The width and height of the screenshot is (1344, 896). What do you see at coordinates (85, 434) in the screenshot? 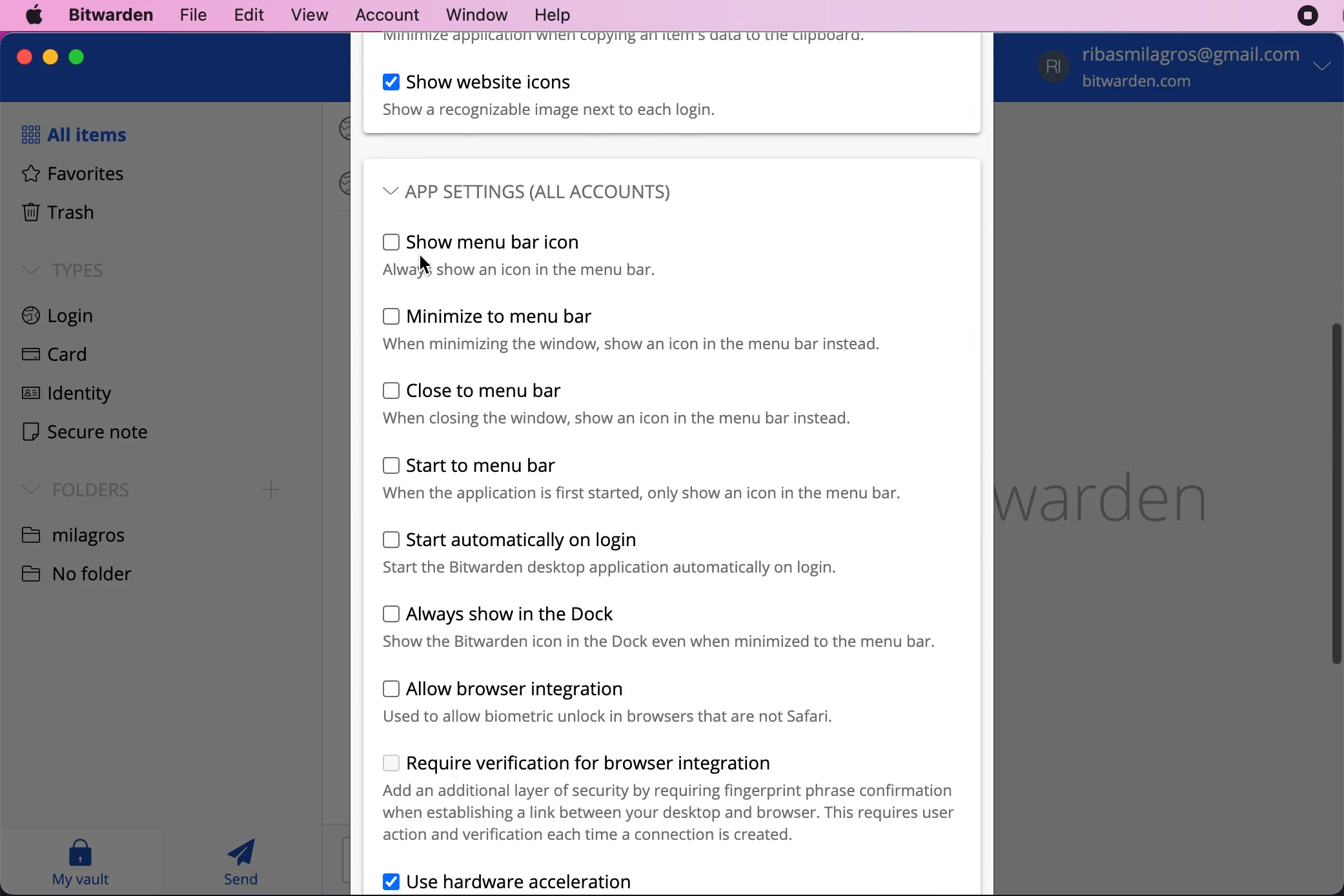
I see `secure note` at bounding box center [85, 434].